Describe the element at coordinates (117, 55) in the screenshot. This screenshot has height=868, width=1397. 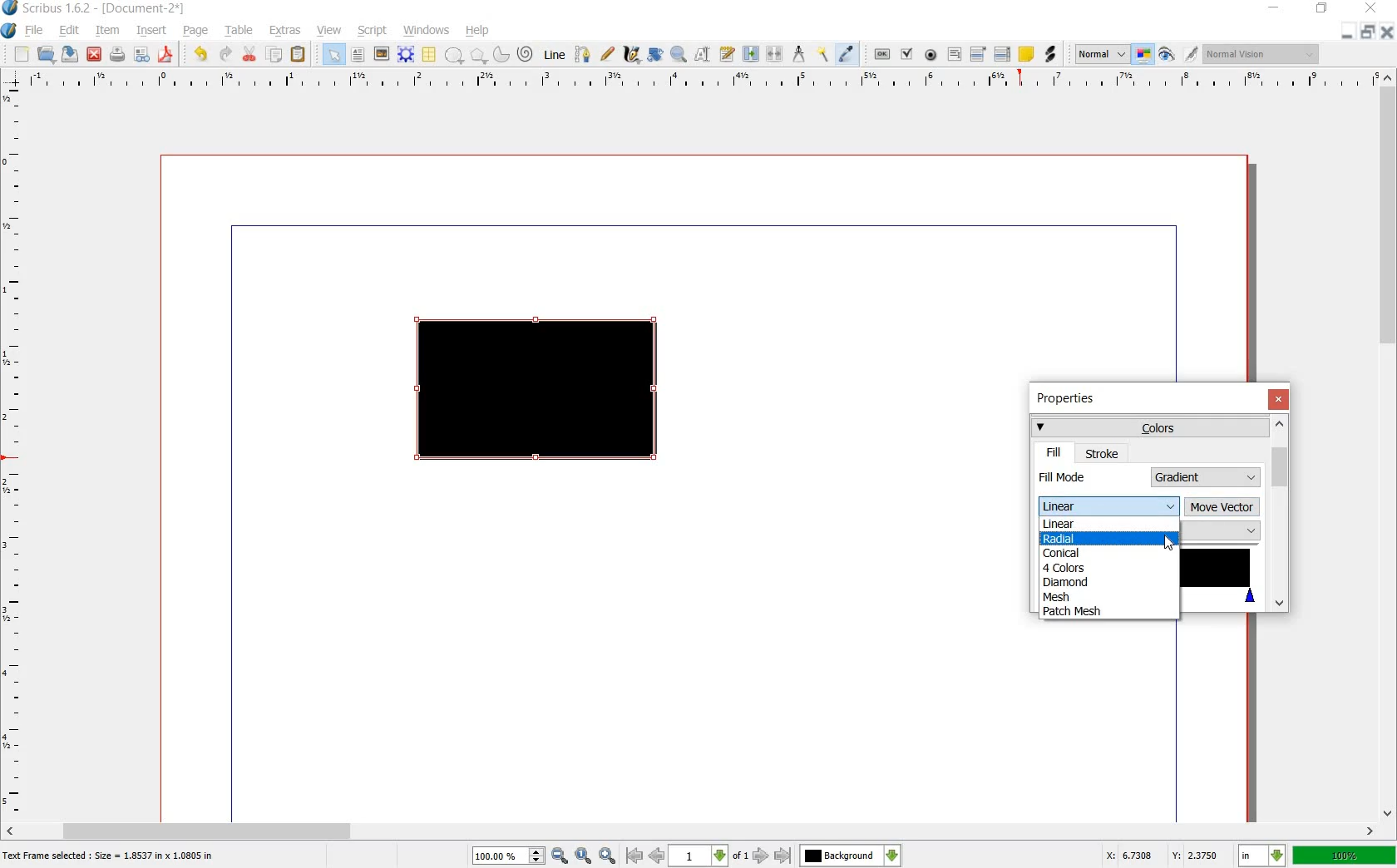
I see `print` at that location.